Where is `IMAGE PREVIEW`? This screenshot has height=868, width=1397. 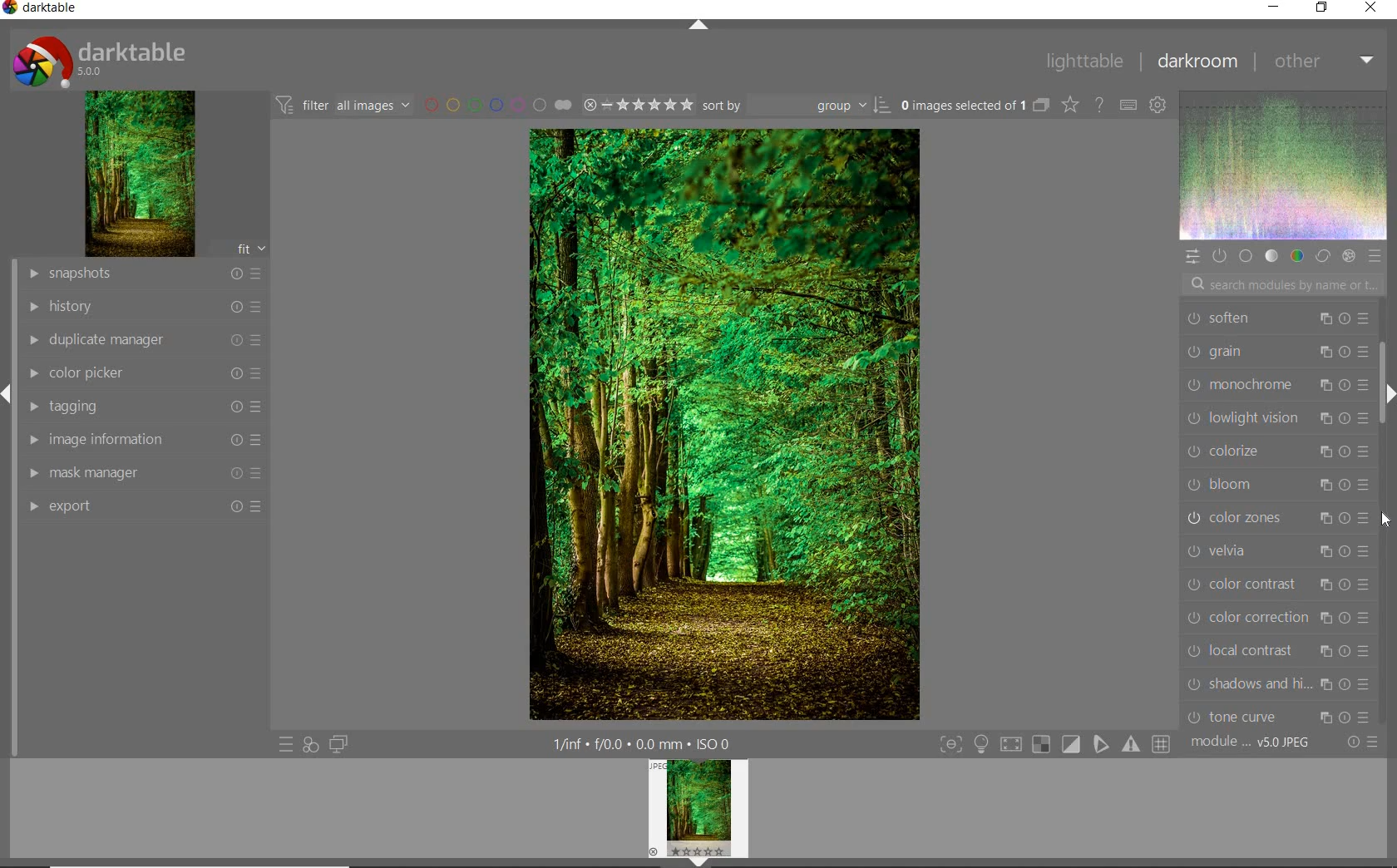 IMAGE PREVIEW is located at coordinates (698, 813).